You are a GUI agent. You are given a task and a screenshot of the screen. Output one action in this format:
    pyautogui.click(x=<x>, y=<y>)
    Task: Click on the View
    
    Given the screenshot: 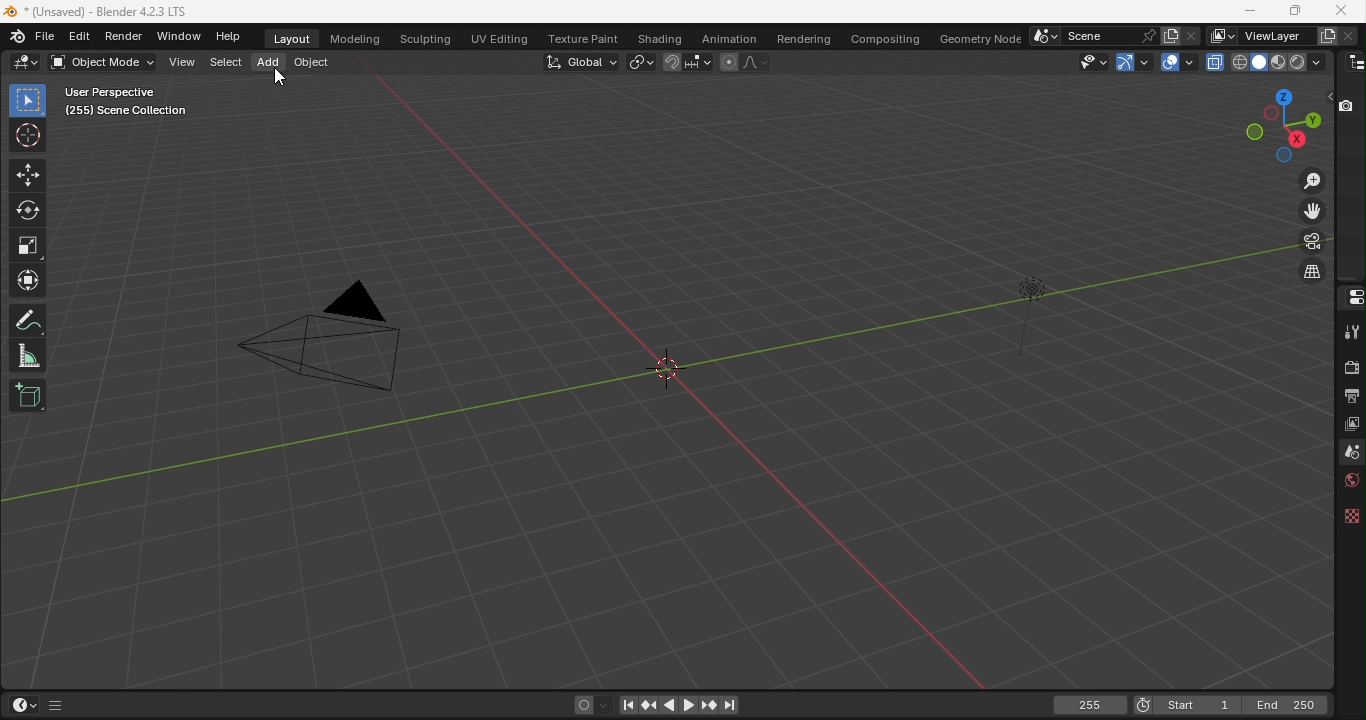 What is the action you would take?
    pyautogui.click(x=183, y=63)
    